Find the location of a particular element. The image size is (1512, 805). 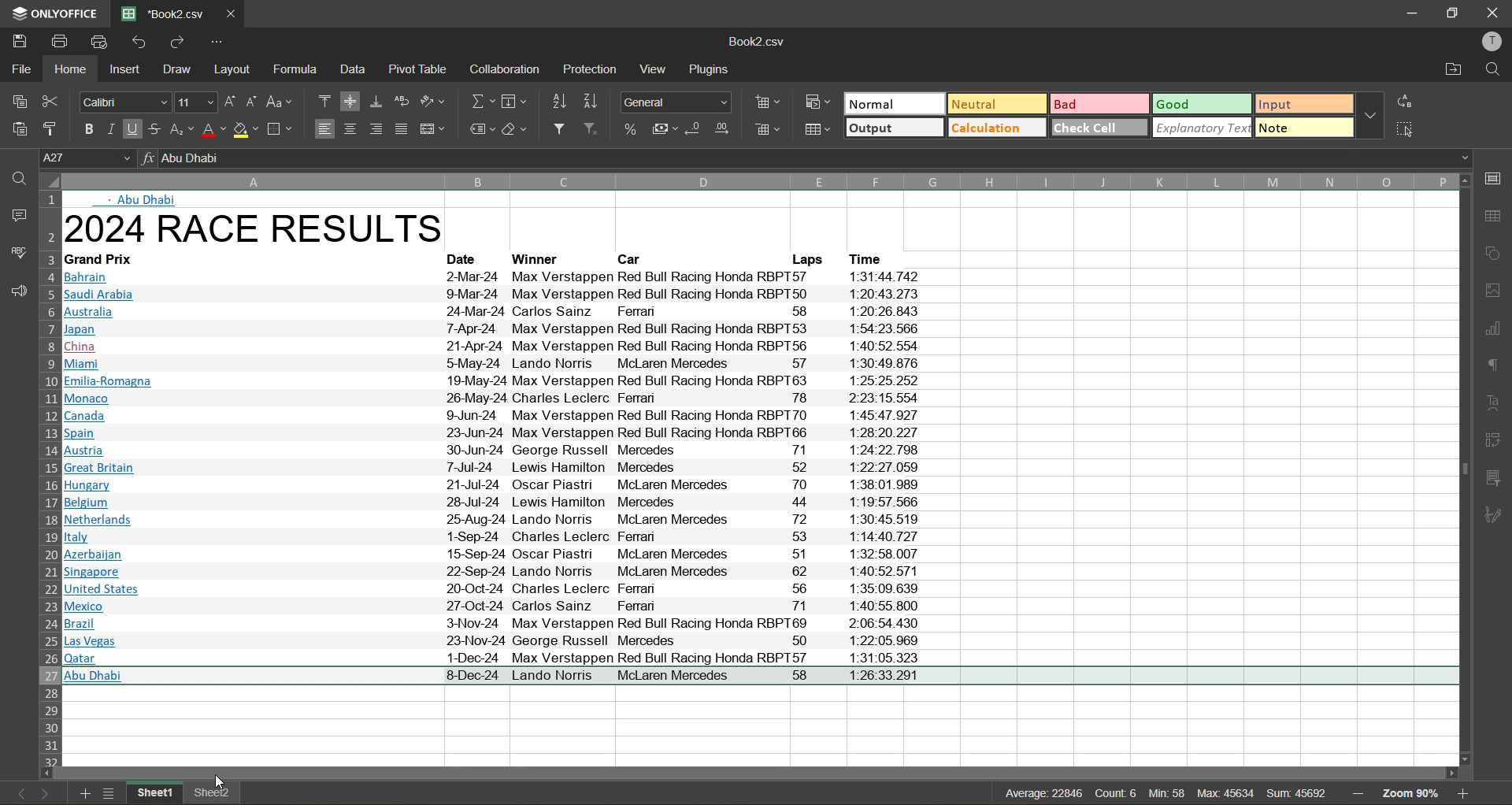

sheet names is located at coordinates (183, 792).